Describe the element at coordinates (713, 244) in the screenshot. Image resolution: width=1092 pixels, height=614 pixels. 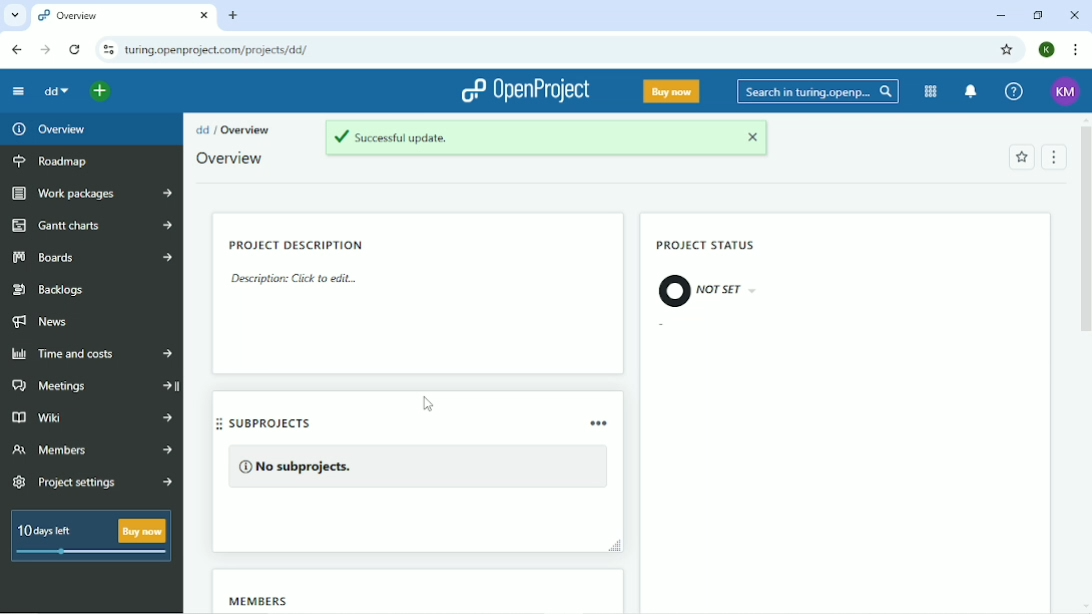
I see `Project status` at that location.